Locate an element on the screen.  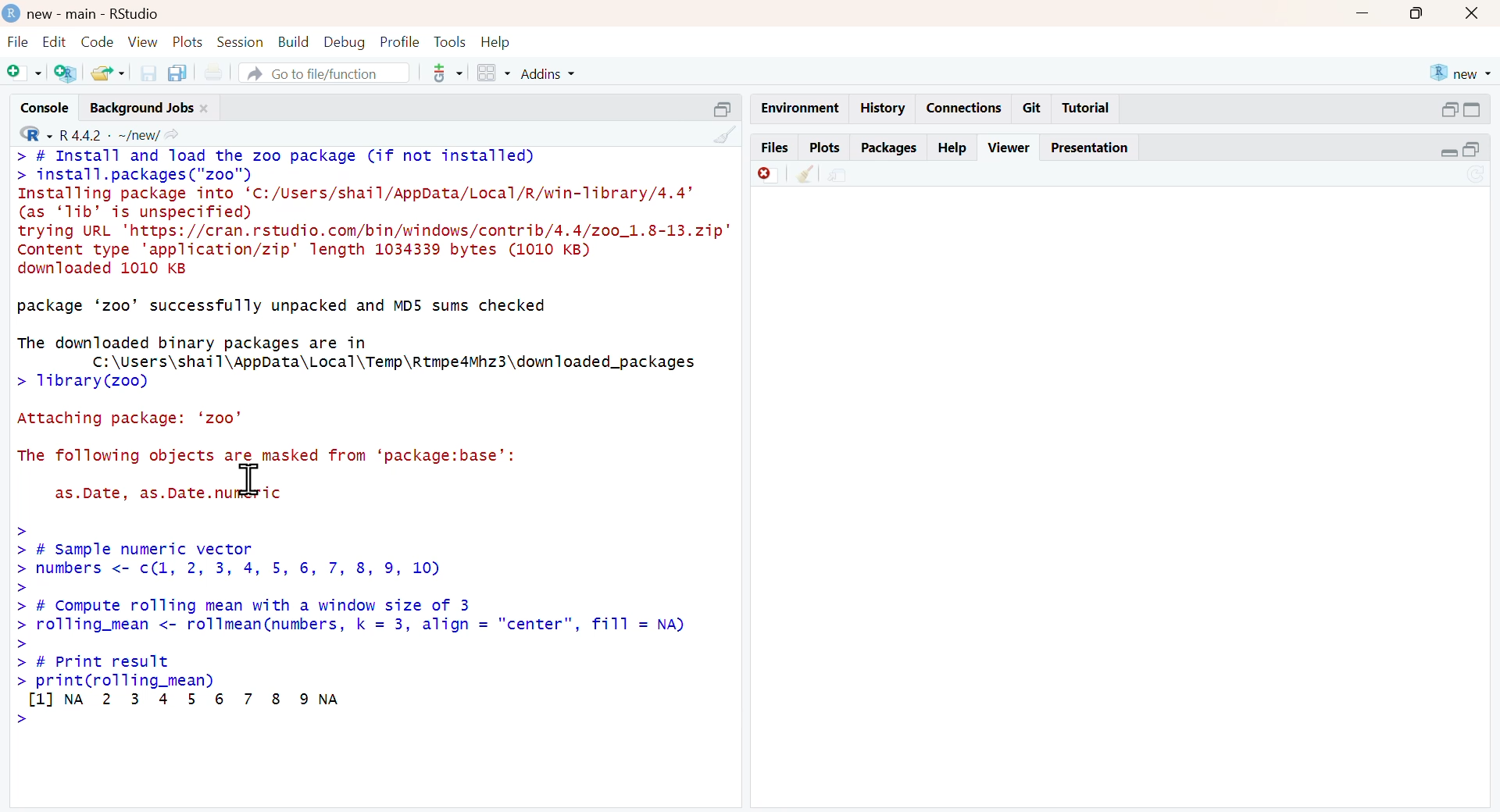
Tutorial  is located at coordinates (1087, 108).